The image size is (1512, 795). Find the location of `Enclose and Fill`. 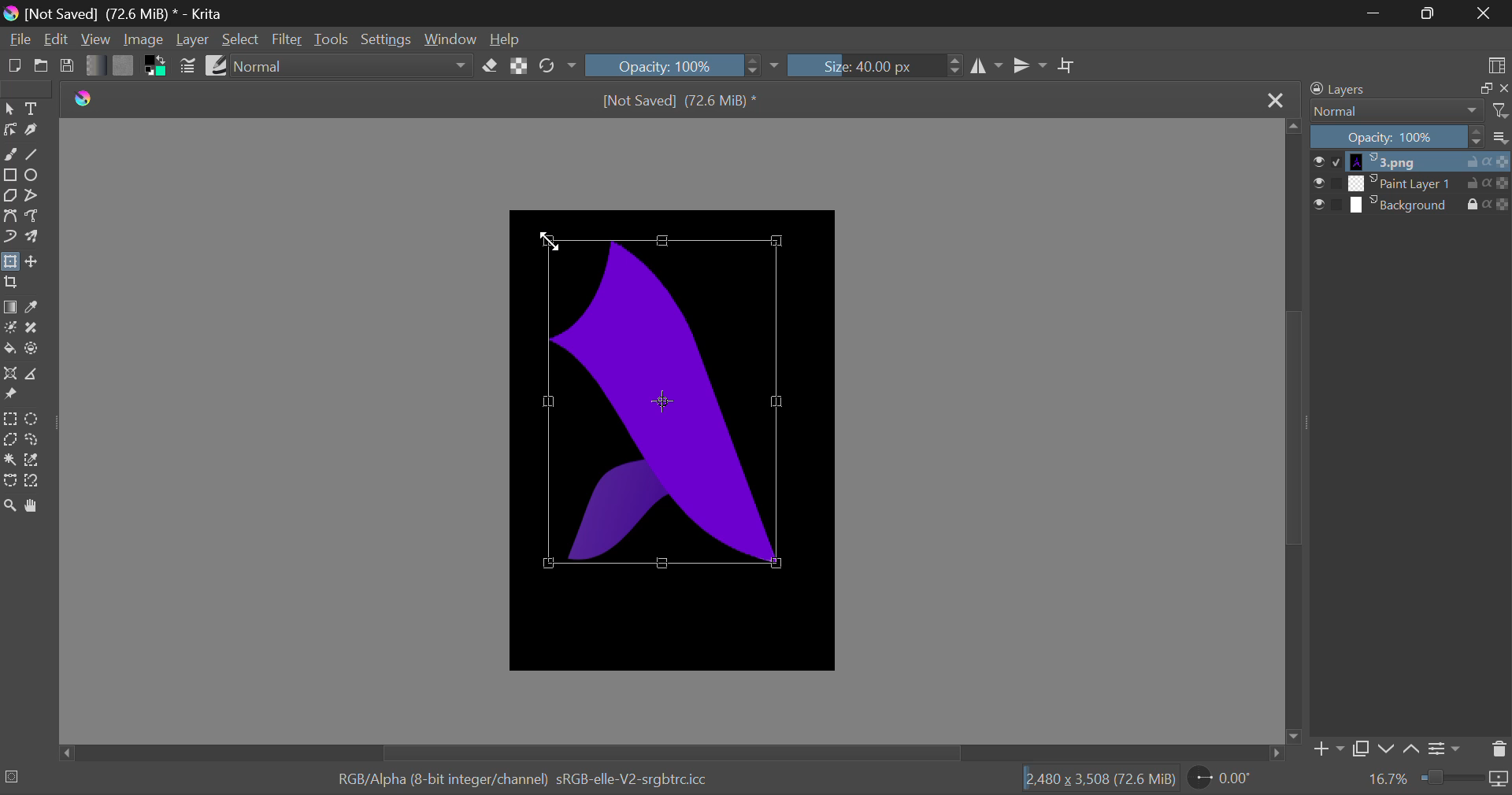

Enclose and Fill is located at coordinates (36, 351).